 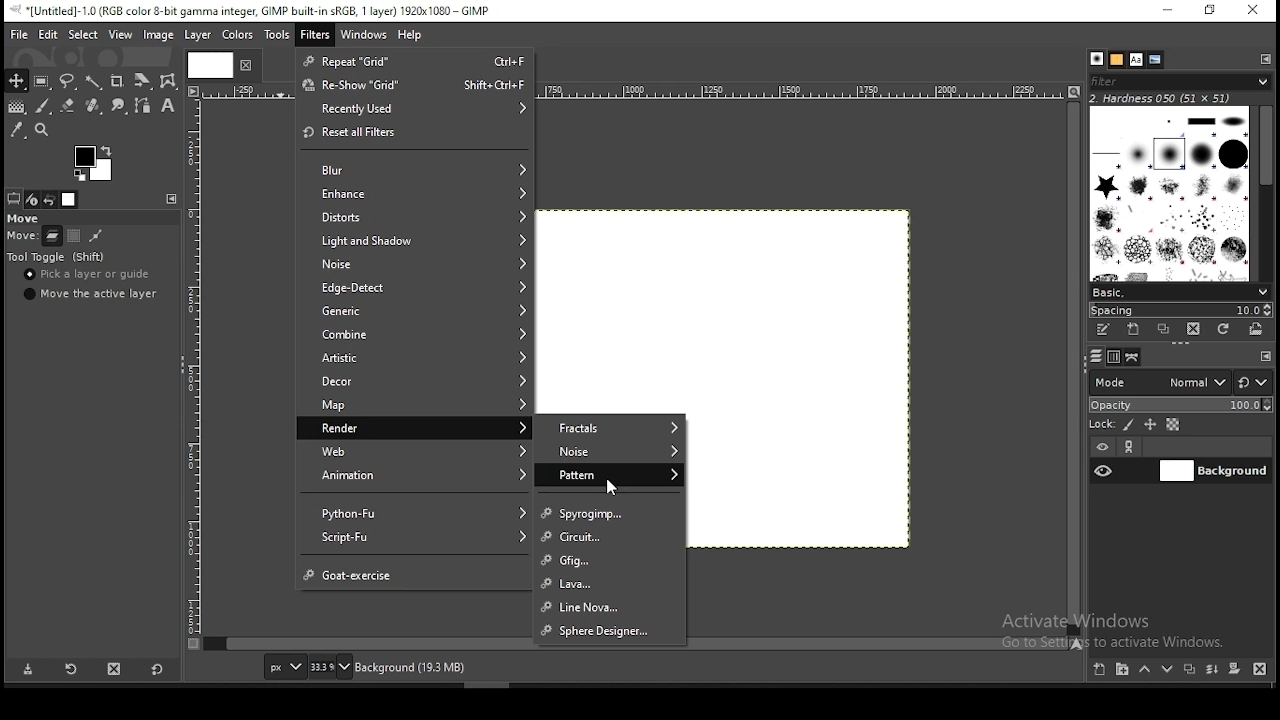 What do you see at coordinates (1136, 358) in the screenshot?
I see `paths` at bounding box center [1136, 358].